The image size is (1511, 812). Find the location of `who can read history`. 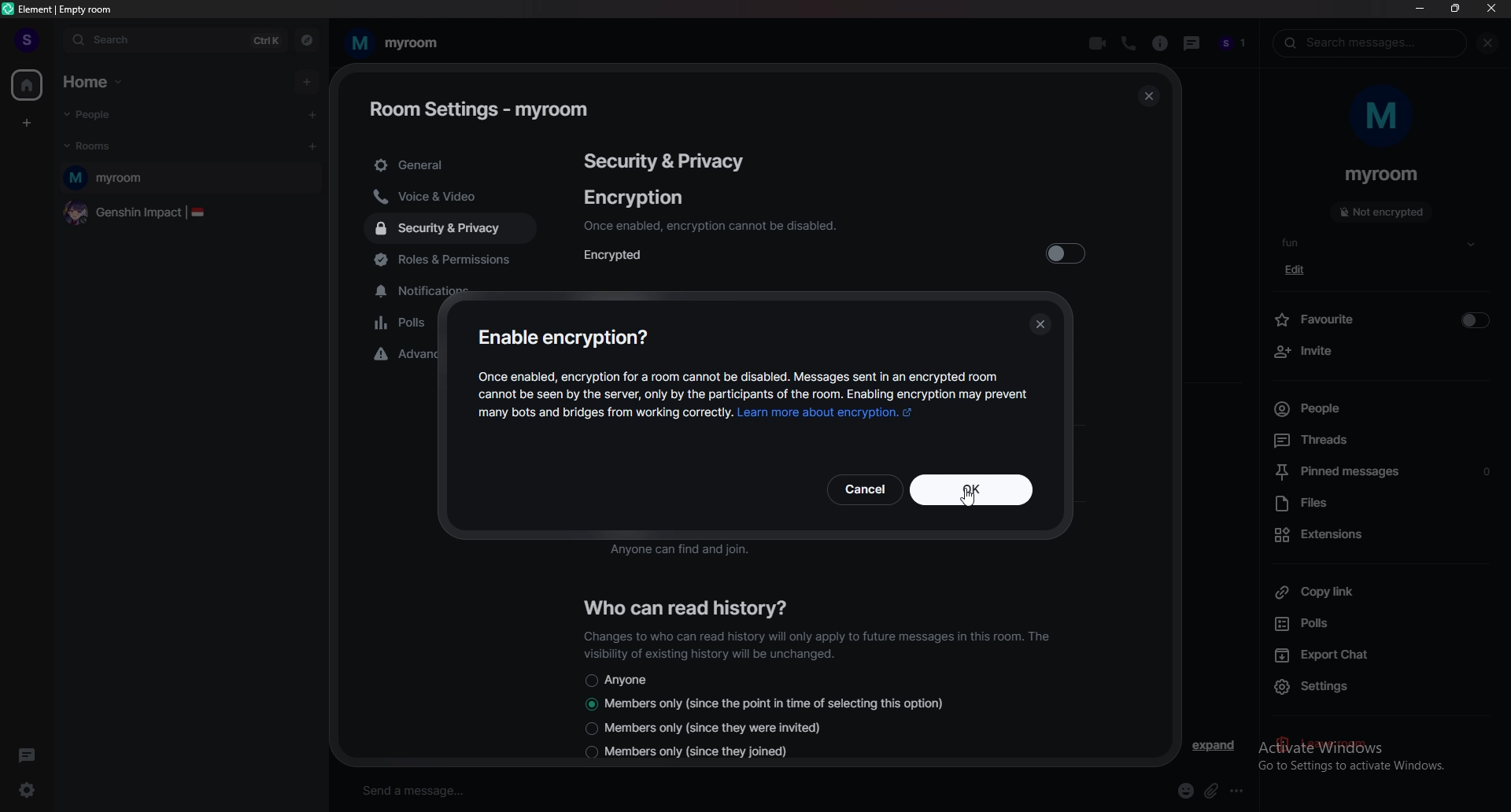

who can read history is located at coordinates (694, 606).